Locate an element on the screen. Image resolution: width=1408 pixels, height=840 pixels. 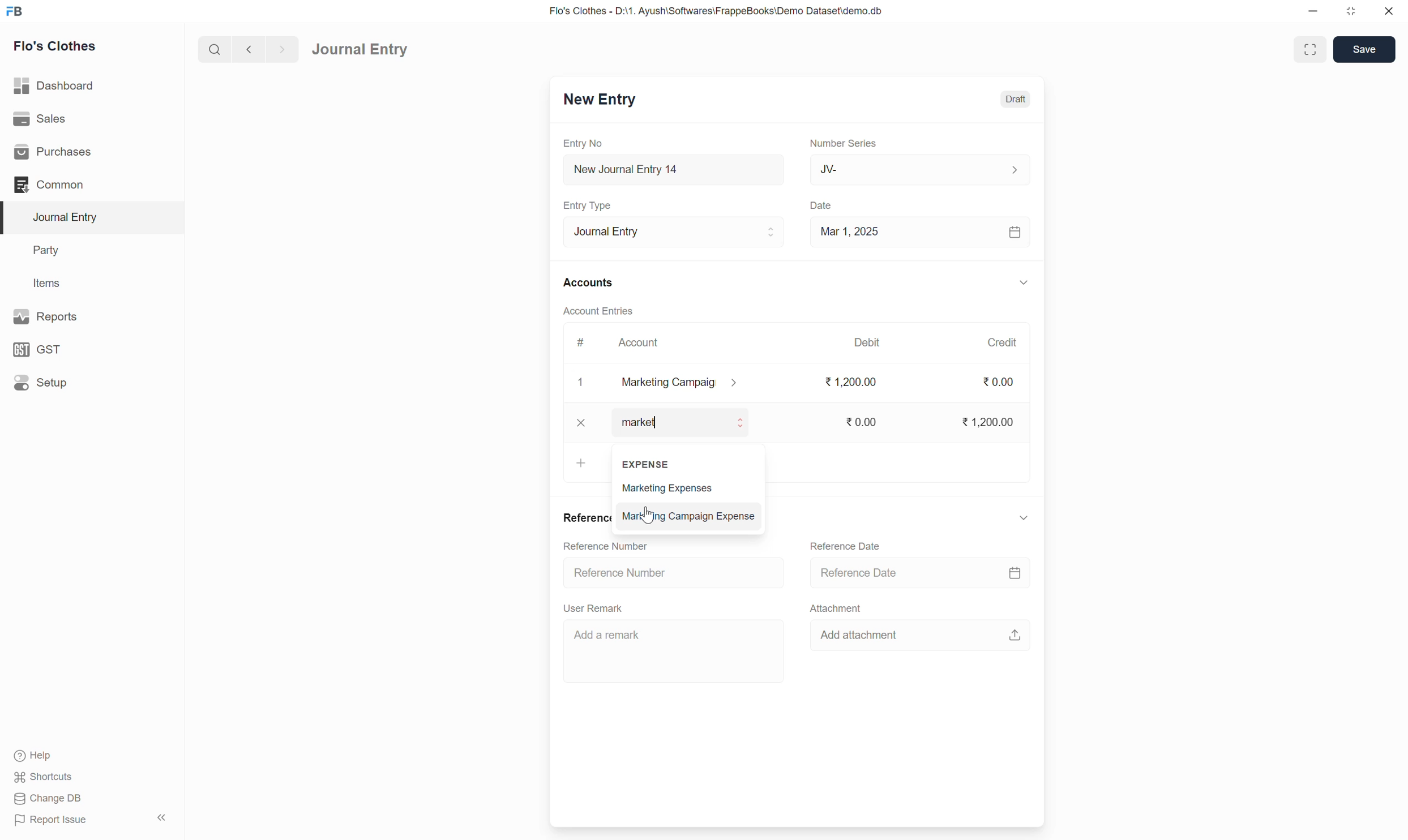
down is located at coordinates (1022, 284).